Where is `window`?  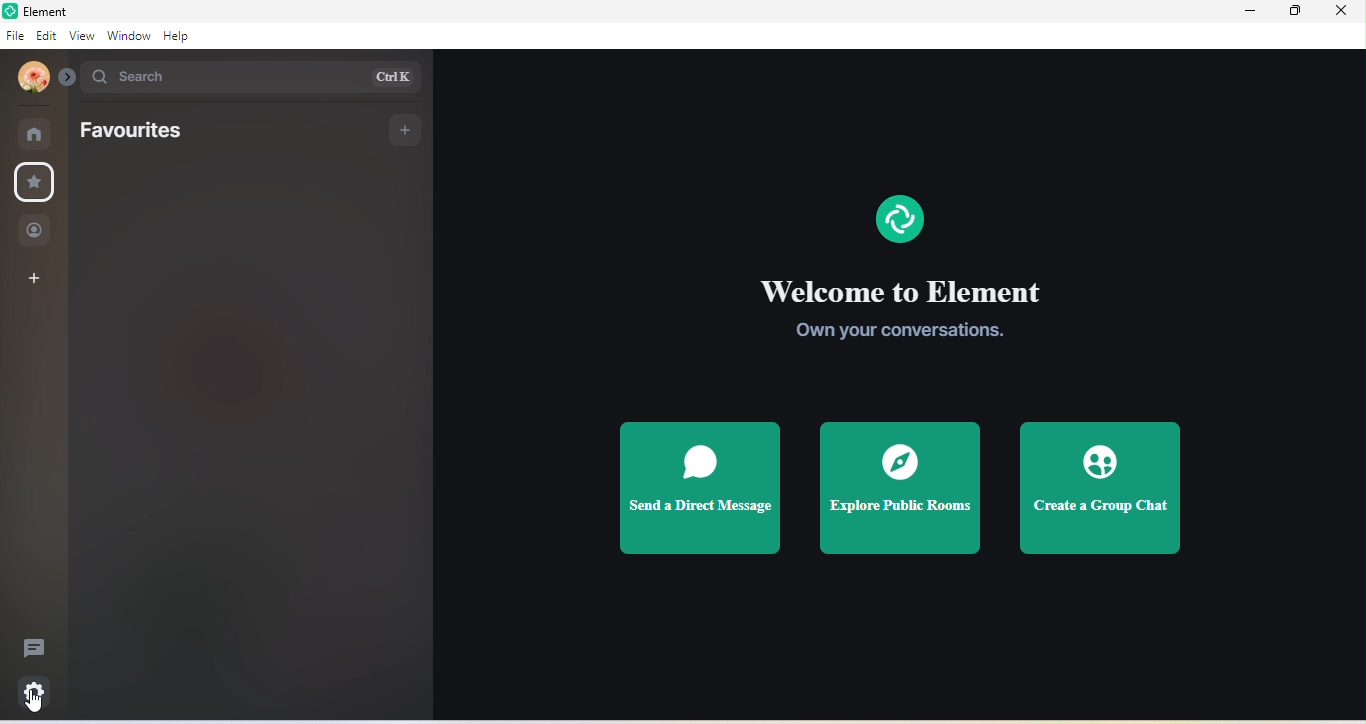
window is located at coordinates (127, 35).